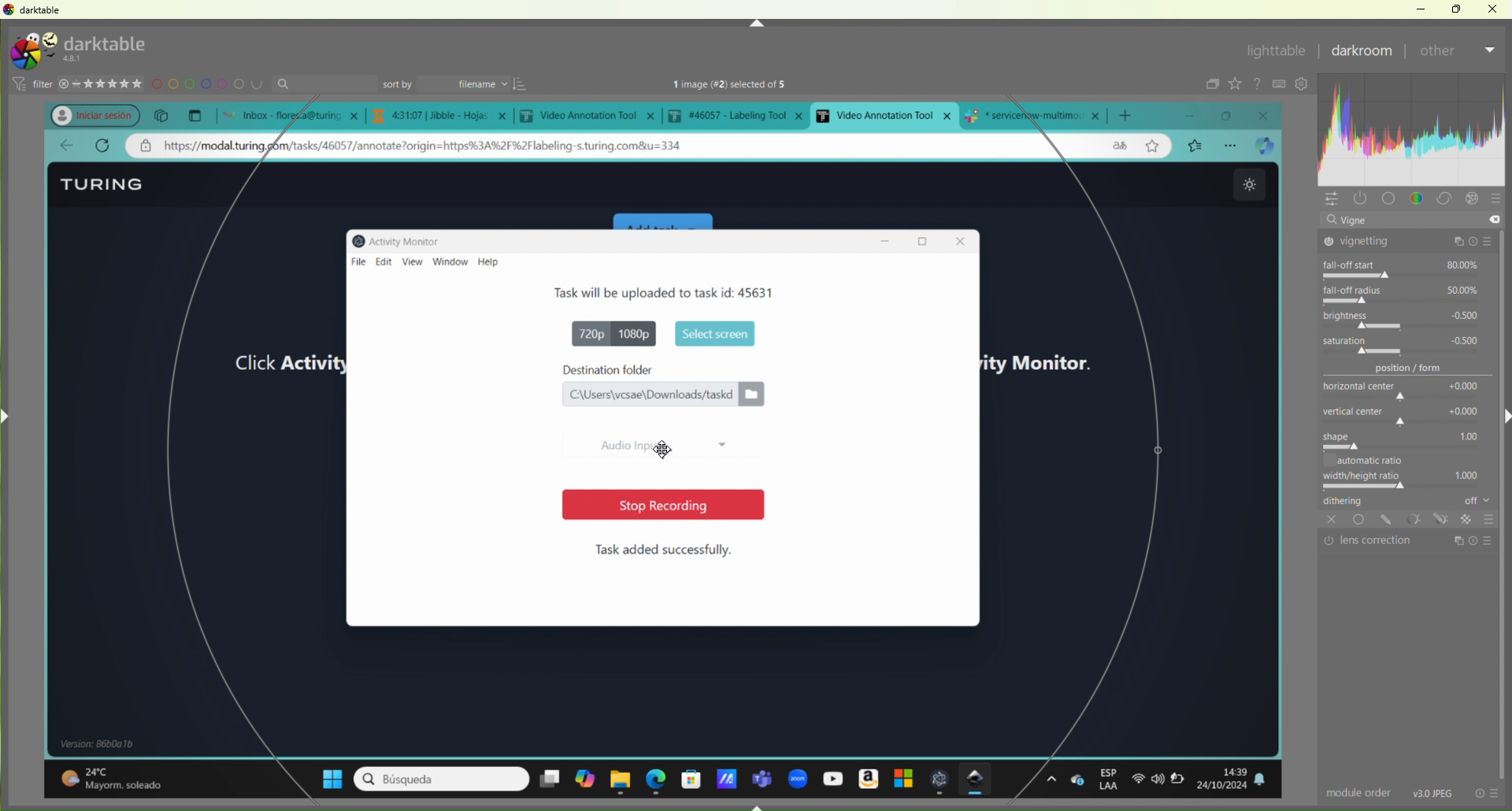 Image resolution: width=1512 pixels, height=811 pixels. Describe the element at coordinates (1411, 243) in the screenshot. I see `vignetting` at that location.